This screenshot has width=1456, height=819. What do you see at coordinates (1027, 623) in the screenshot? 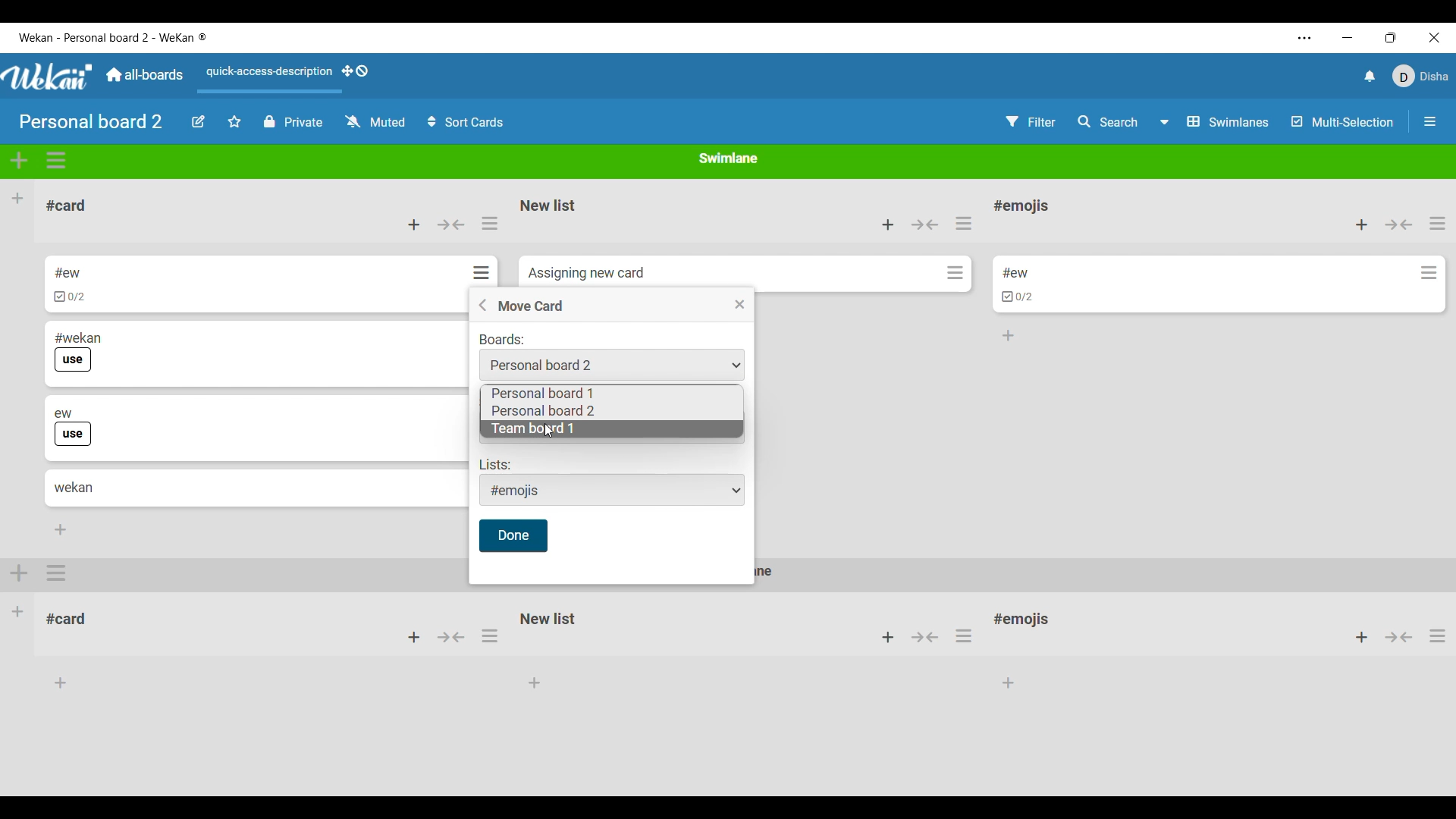
I see `#emojis` at bounding box center [1027, 623].